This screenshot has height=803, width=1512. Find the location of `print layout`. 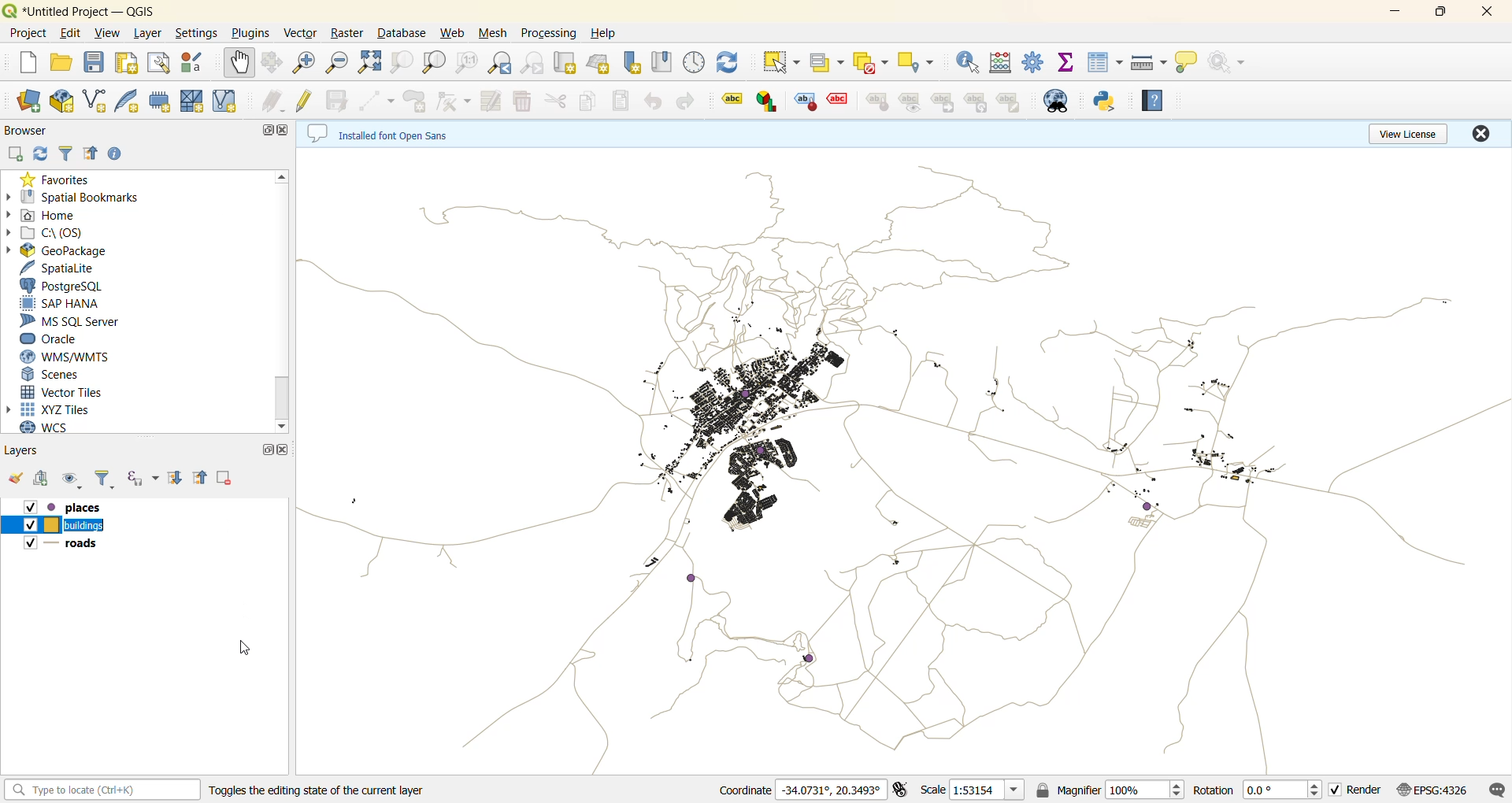

print layout is located at coordinates (126, 65).